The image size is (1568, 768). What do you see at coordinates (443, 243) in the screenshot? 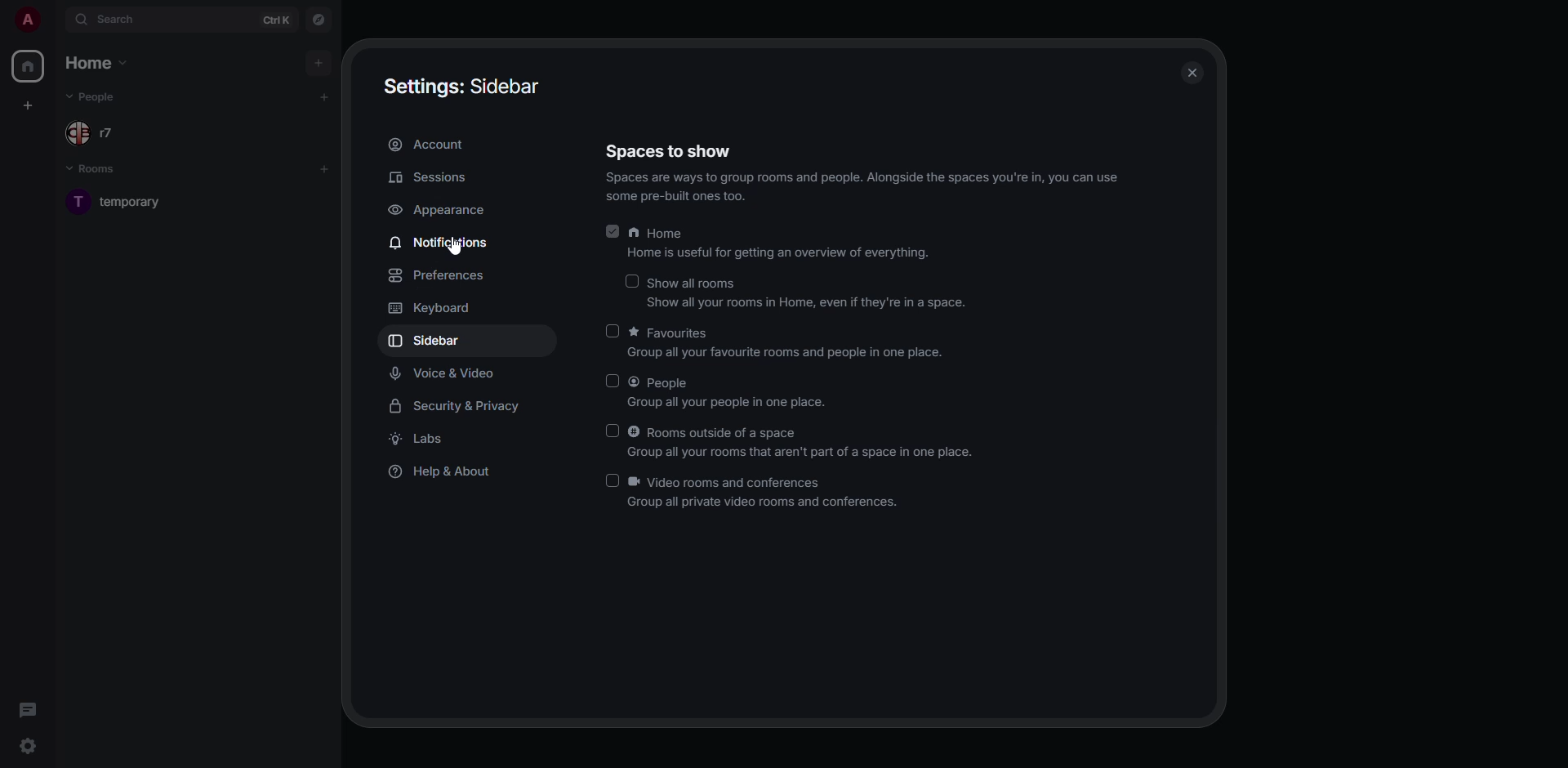
I see `notifications` at bounding box center [443, 243].